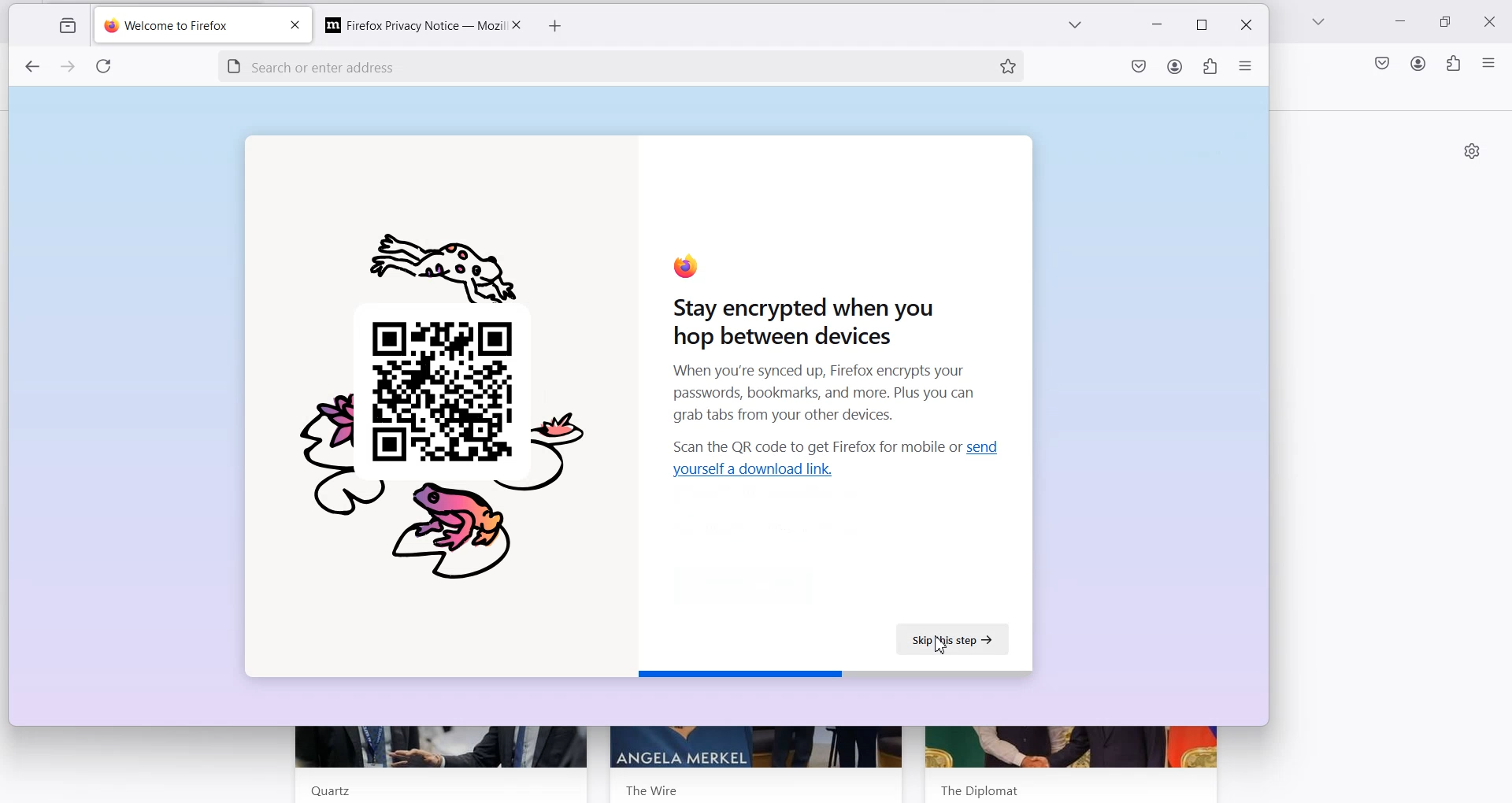 The width and height of the screenshot is (1512, 803). What do you see at coordinates (580, 65) in the screenshot?
I see `search or enter address` at bounding box center [580, 65].